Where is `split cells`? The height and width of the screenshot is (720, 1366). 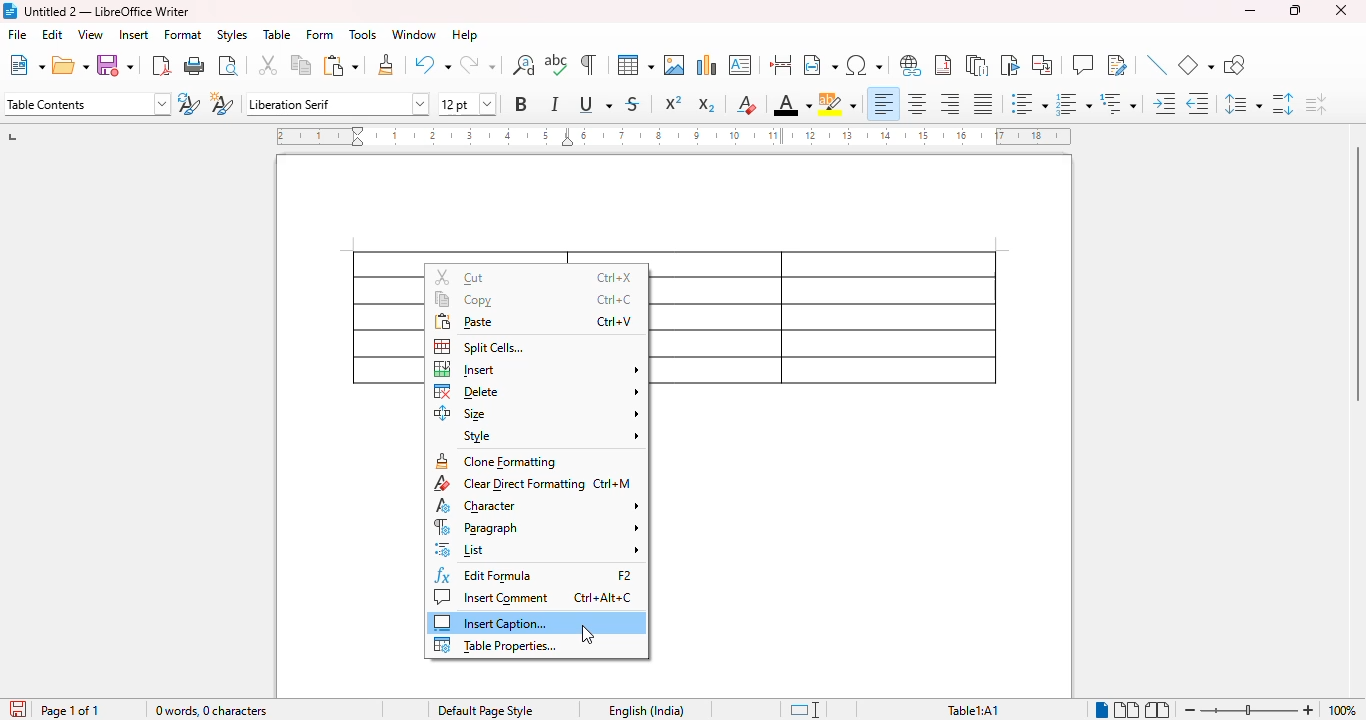
split cells is located at coordinates (481, 347).